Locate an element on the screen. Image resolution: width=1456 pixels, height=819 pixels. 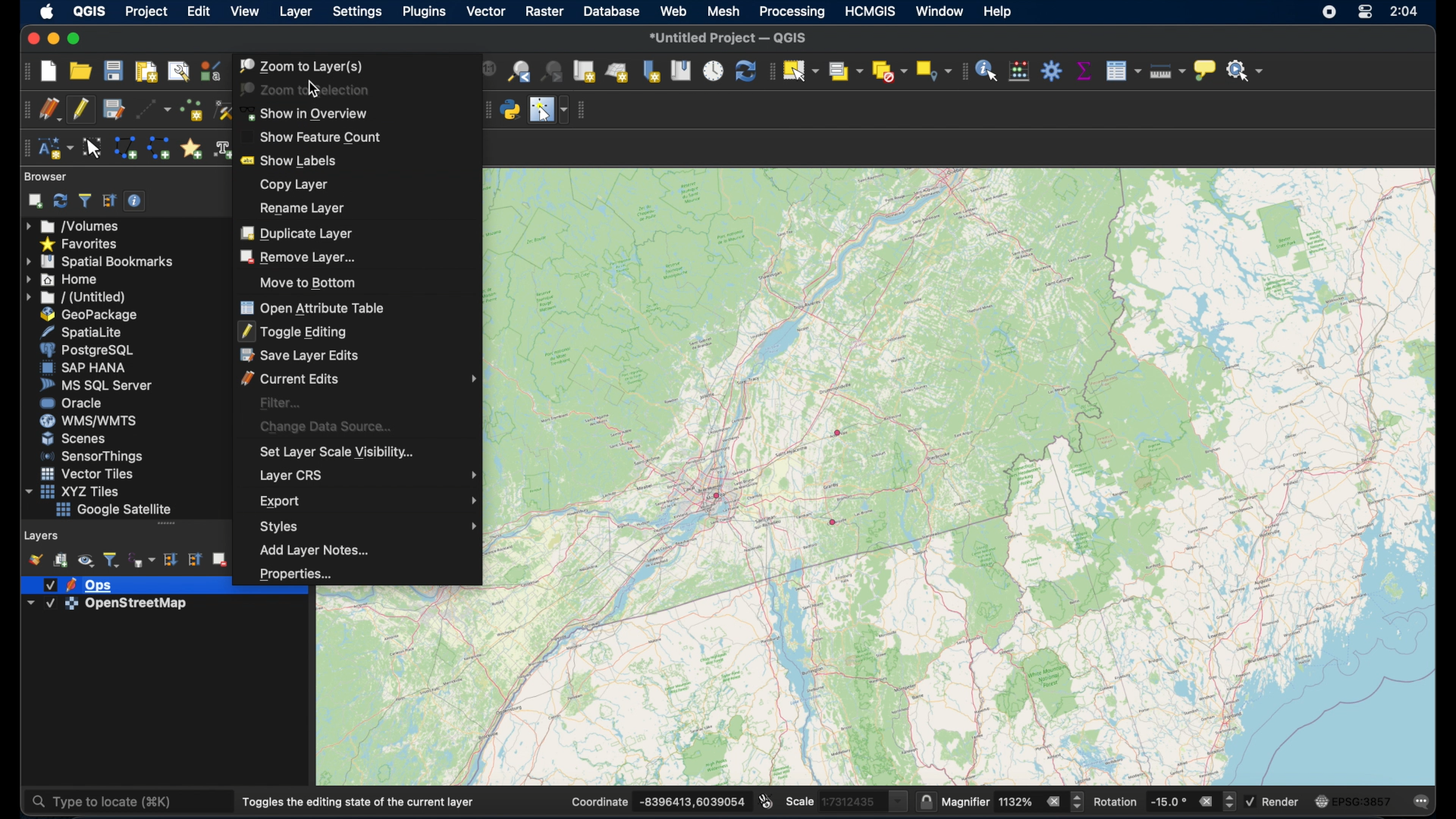
show spatial bookmarks is located at coordinates (682, 71).